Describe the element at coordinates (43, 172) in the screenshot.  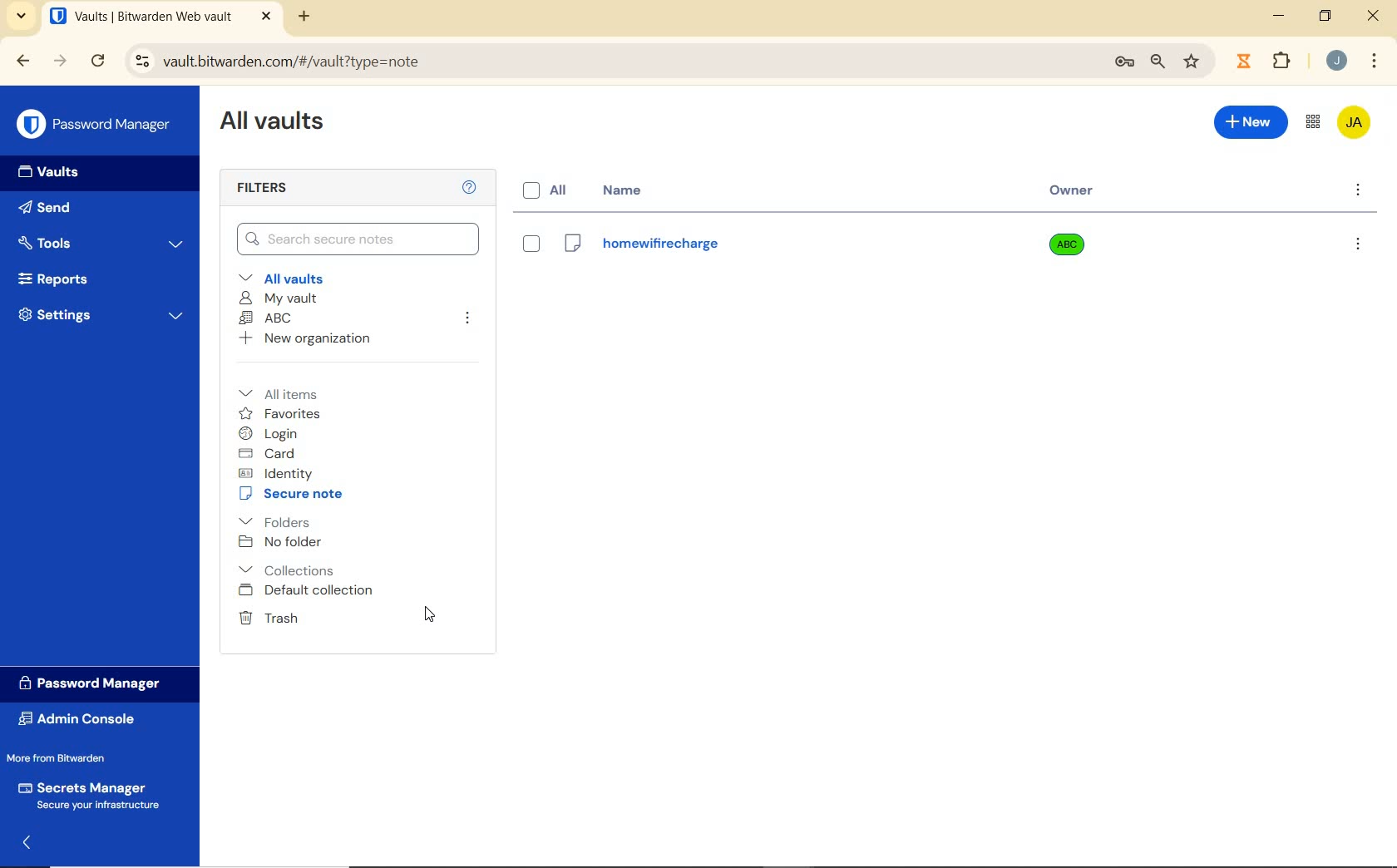
I see `Vaults` at that location.